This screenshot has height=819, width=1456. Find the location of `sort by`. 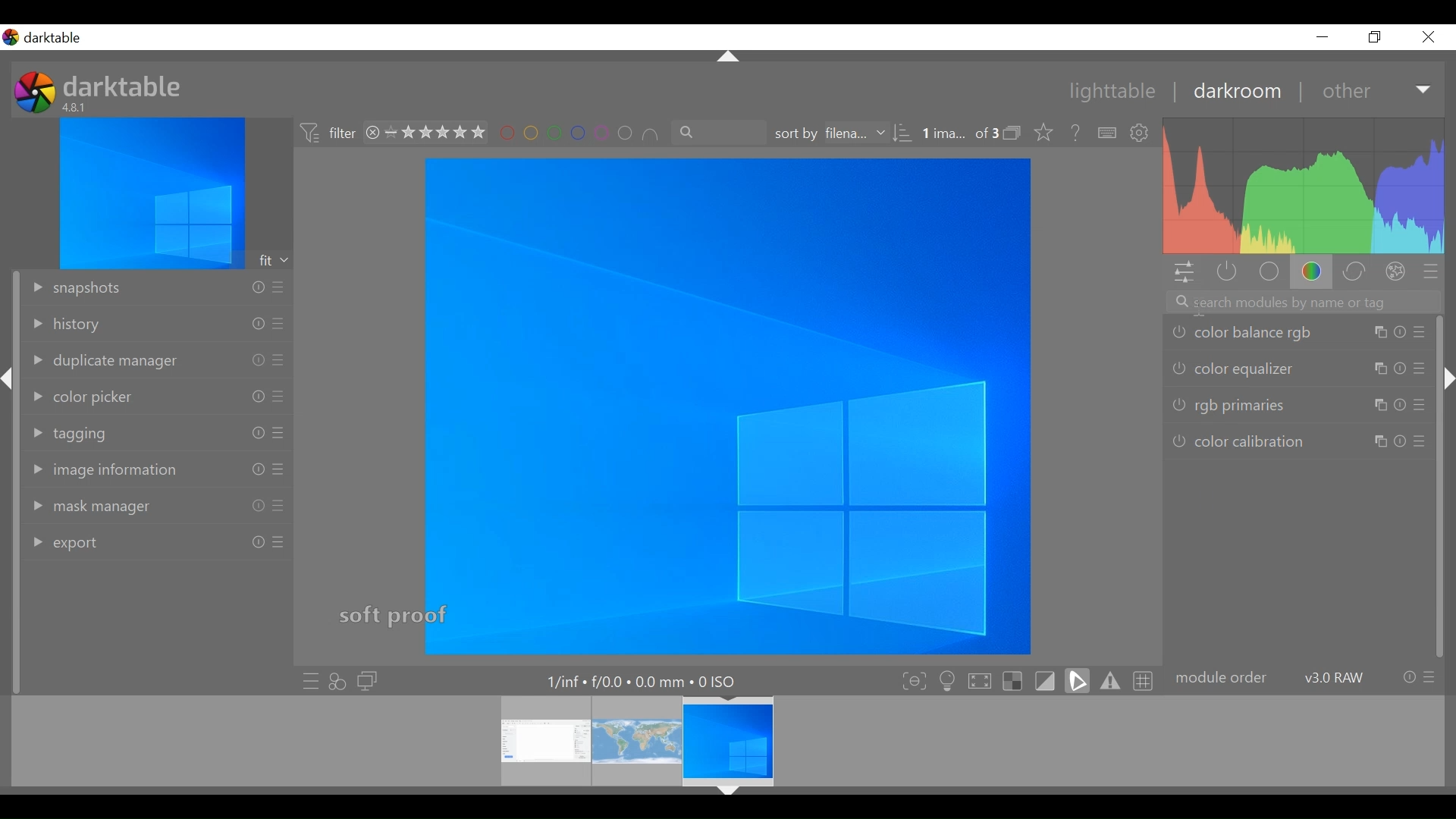

sort by is located at coordinates (830, 133).